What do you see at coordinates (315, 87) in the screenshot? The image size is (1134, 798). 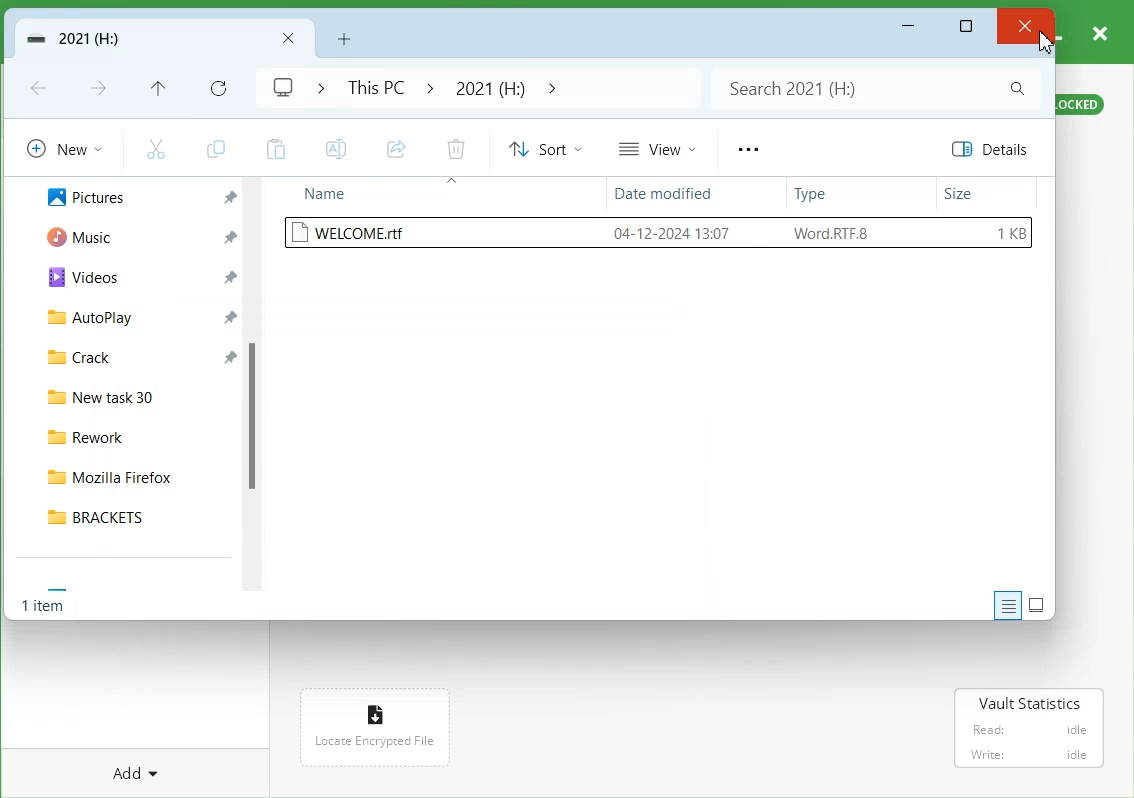 I see `Drop down box` at bounding box center [315, 87].